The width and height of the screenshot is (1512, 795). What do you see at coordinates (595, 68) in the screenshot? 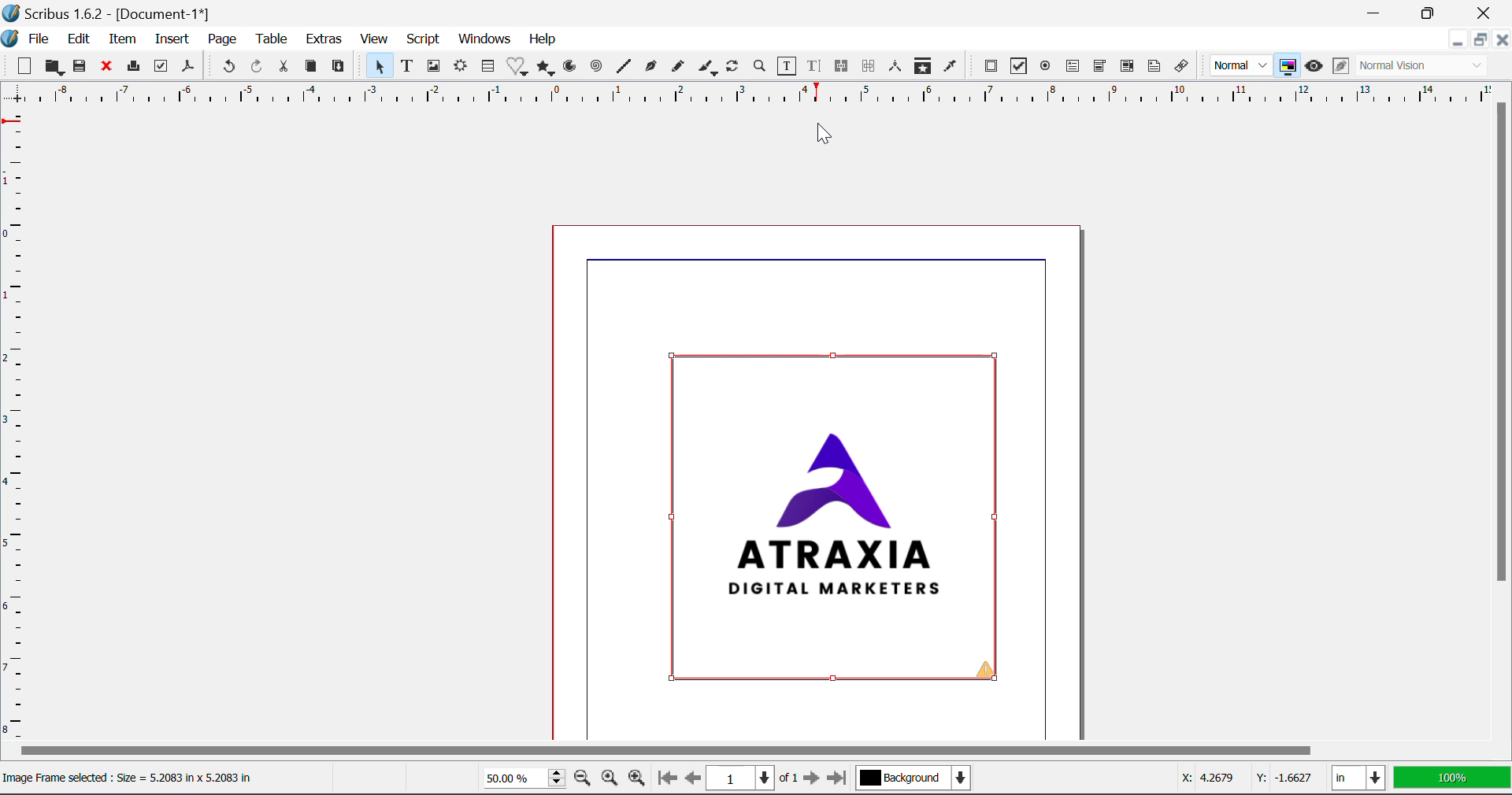
I see `Spiral` at bounding box center [595, 68].